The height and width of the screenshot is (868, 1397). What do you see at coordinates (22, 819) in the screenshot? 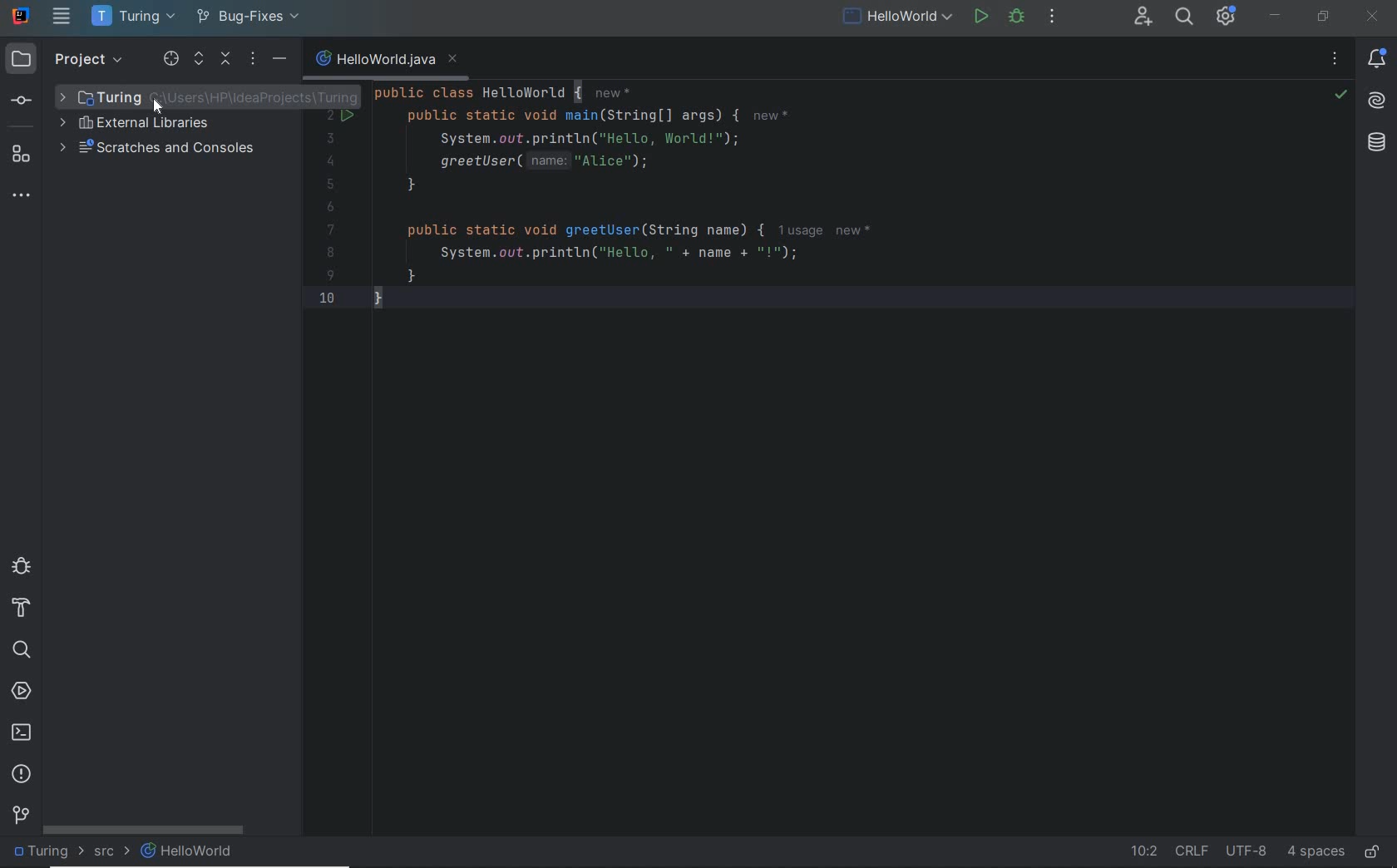
I see `git` at bounding box center [22, 819].